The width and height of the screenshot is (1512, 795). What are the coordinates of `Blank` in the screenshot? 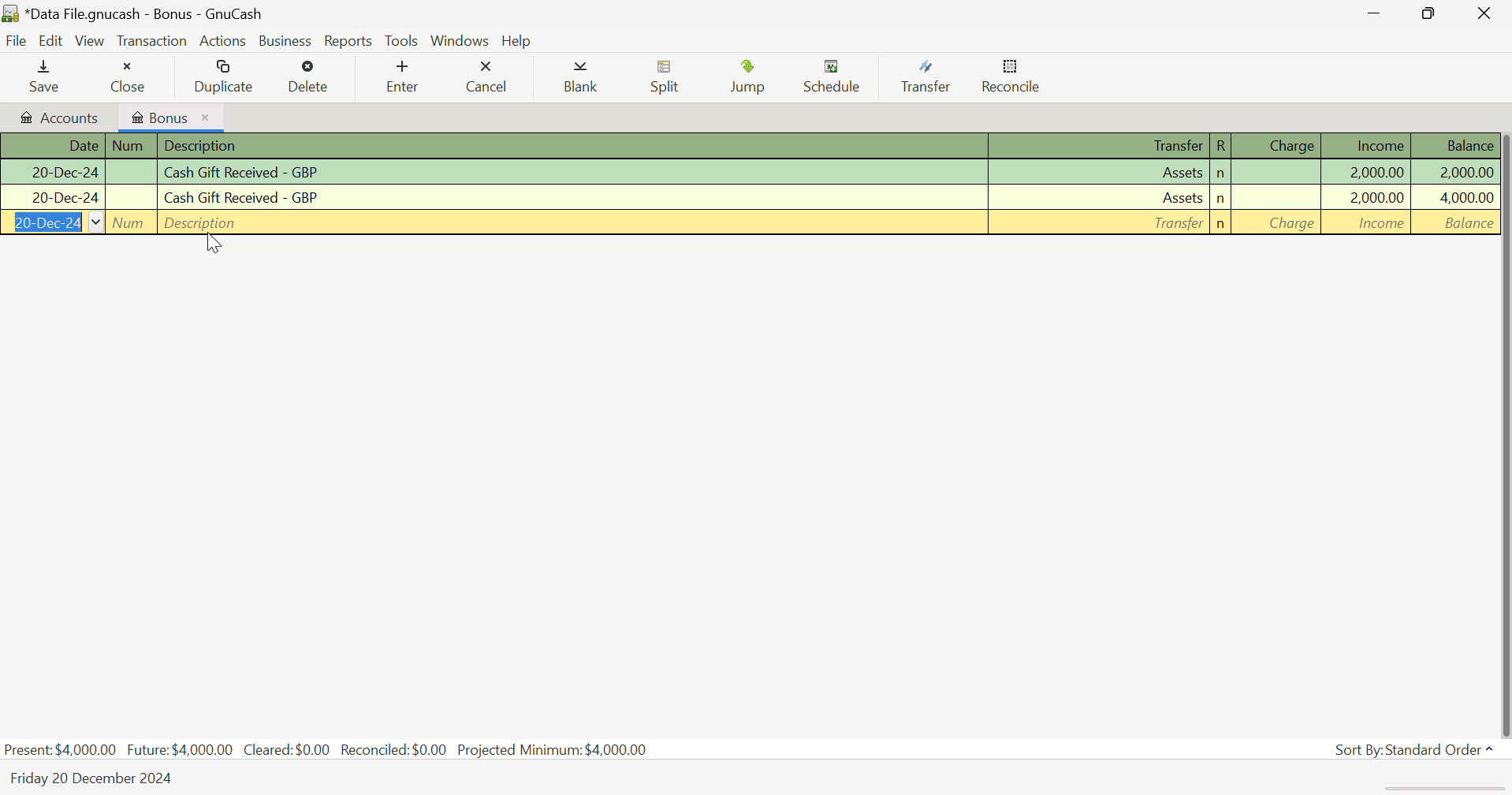 It's located at (583, 78).